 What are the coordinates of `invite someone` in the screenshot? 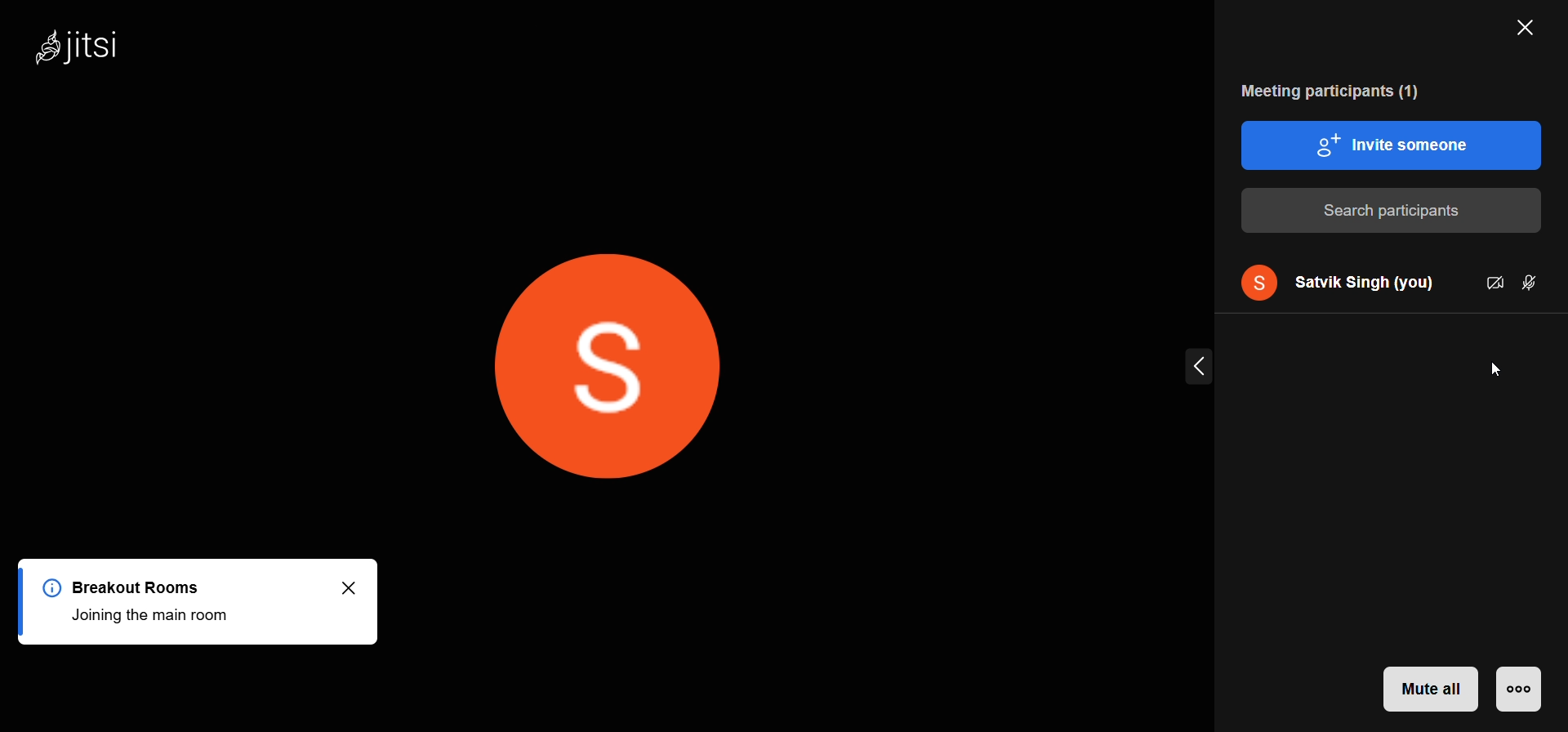 It's located at (1392, 148).